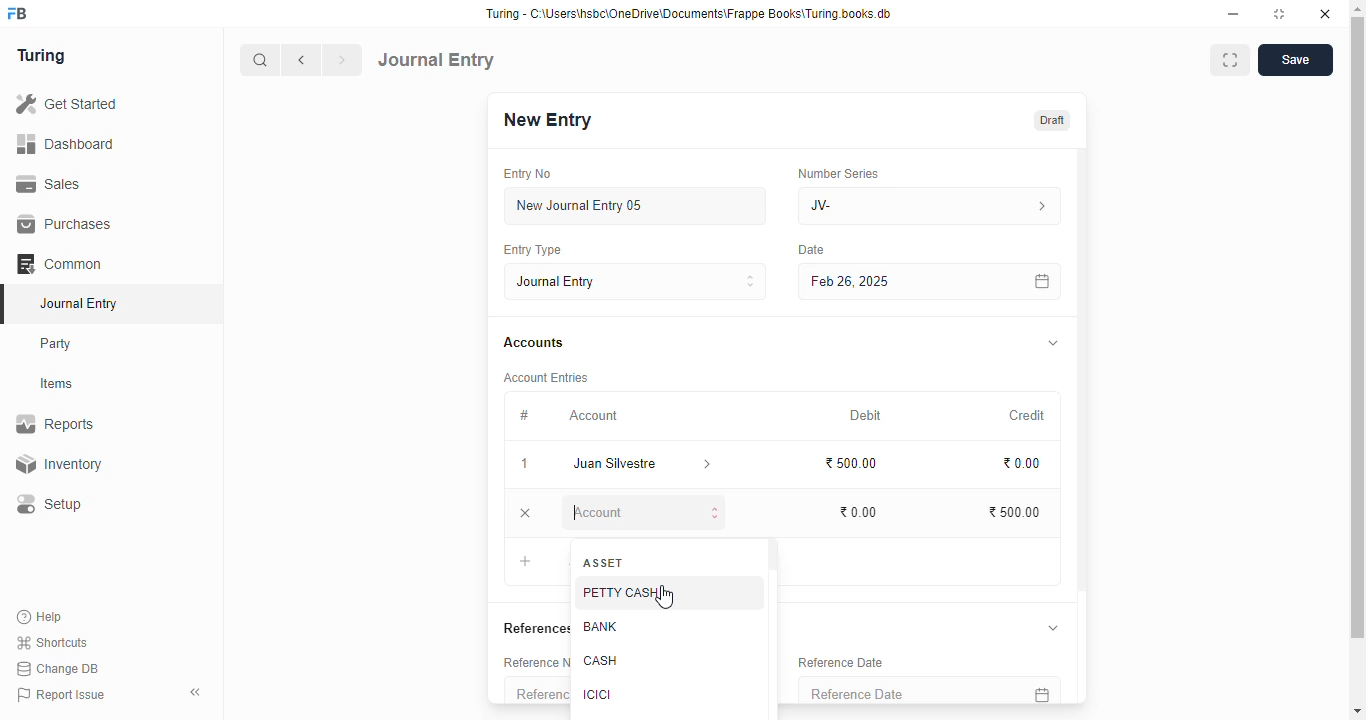 Image resolution: width=1366 pixels, height=720 pixels. Describe the element at coordinates (635, 206) in the screenshot. I see `new journal entry 05` at that location.